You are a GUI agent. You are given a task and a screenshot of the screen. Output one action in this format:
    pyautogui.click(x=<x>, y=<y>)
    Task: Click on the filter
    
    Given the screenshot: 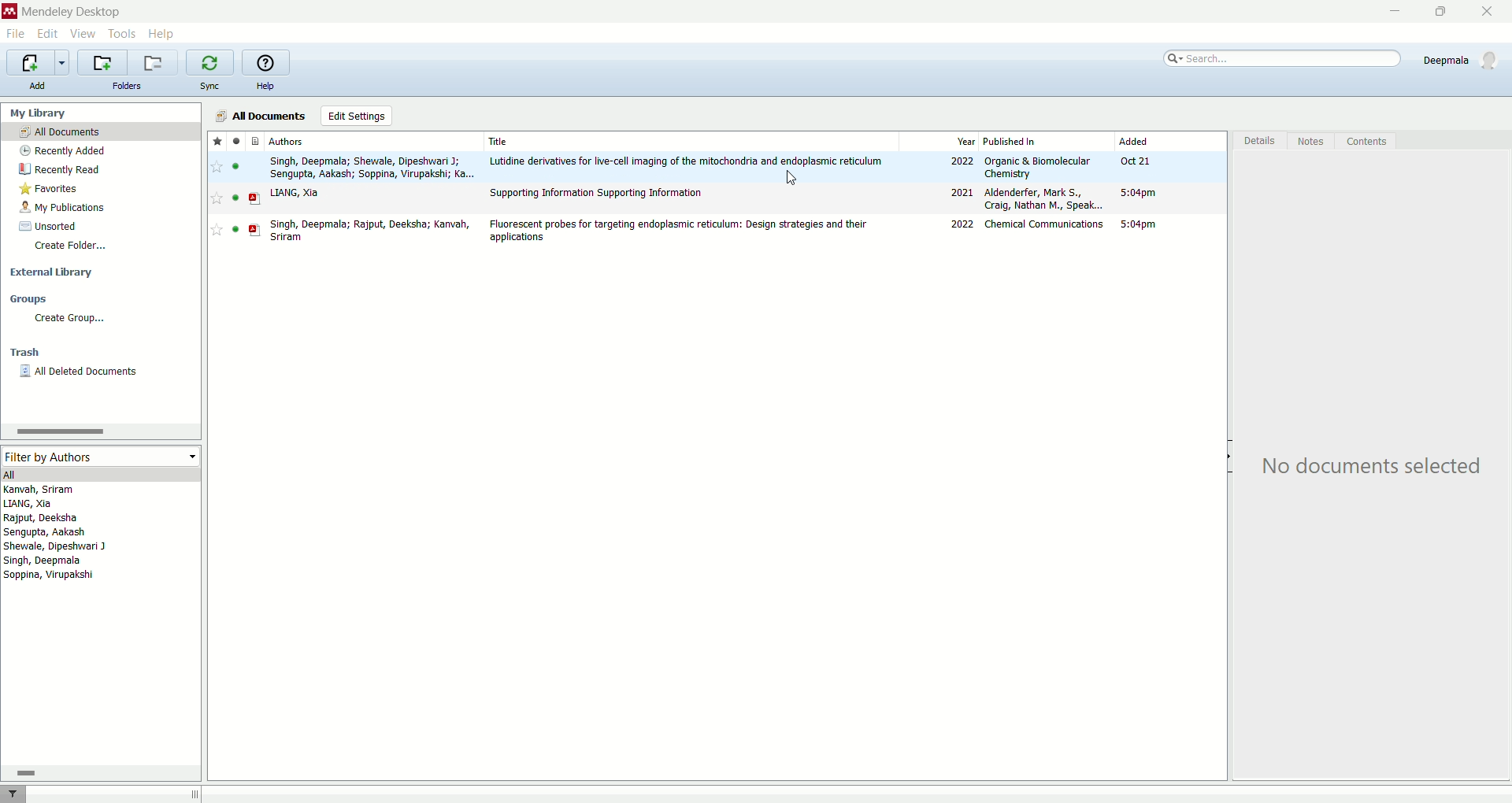 What is the action you would take?
    pyautogui.click(x=13, y=794)
    